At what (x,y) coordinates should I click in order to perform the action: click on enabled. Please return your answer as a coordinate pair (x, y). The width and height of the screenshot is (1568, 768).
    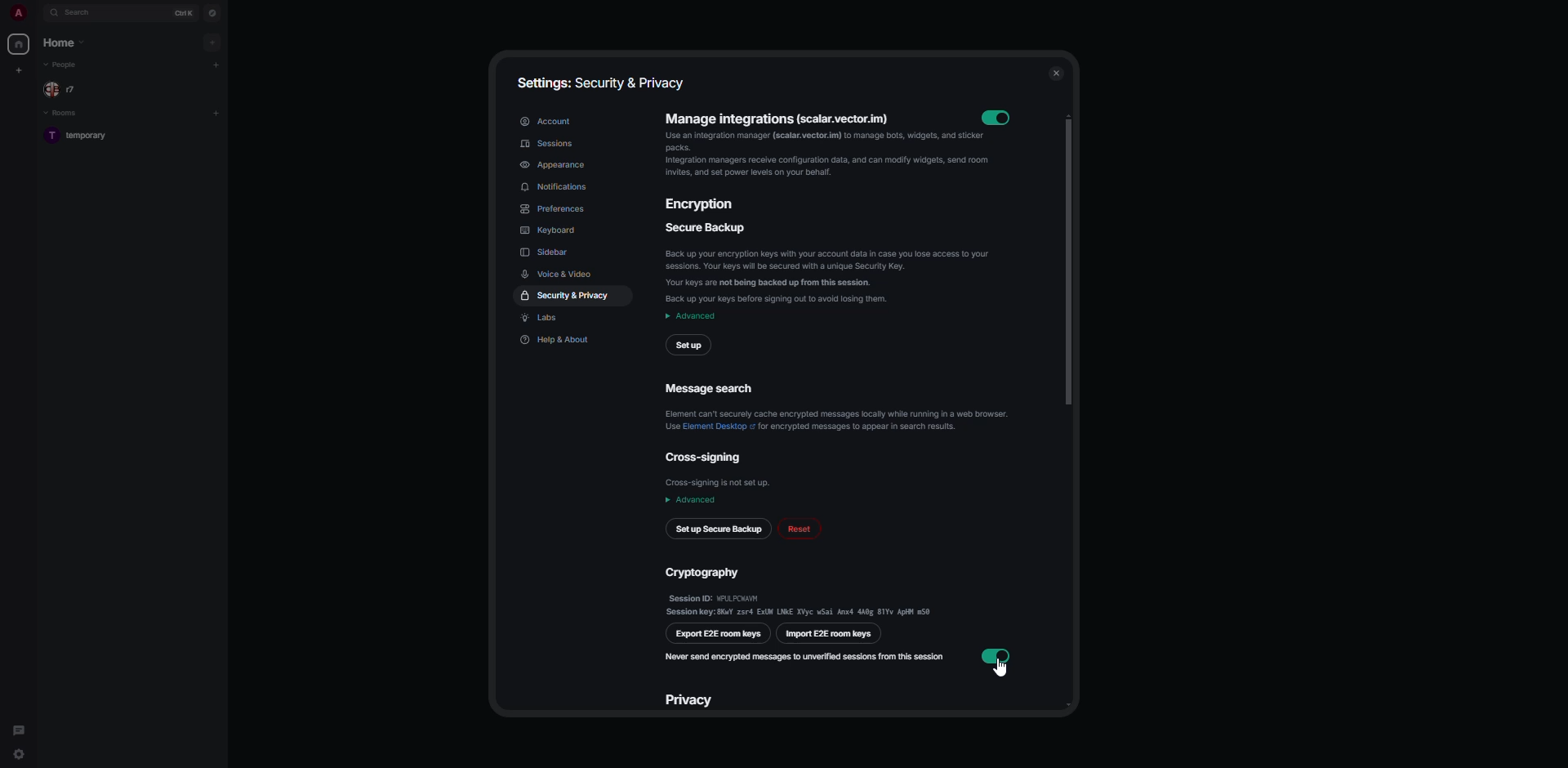
    Looking at the image, I should click on (1000, 118).